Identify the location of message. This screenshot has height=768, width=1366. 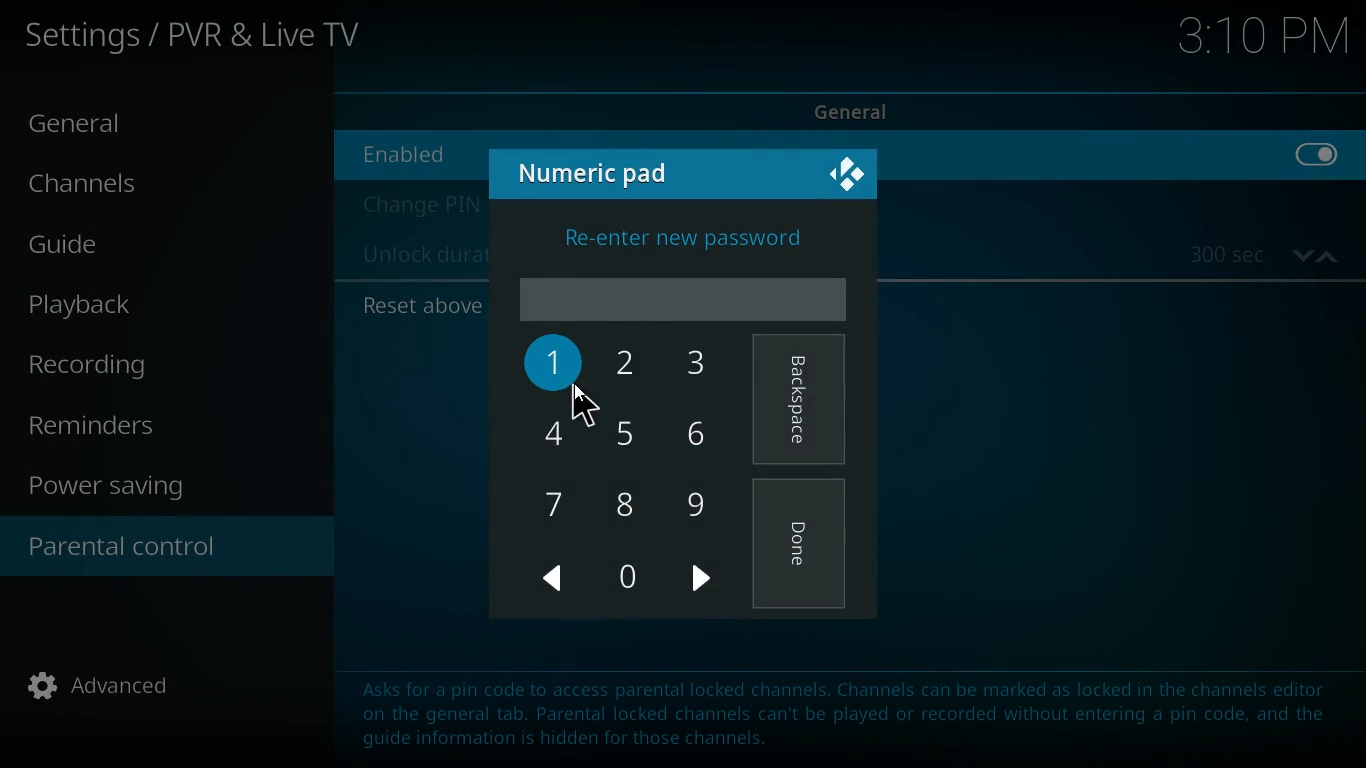
(842, 715).